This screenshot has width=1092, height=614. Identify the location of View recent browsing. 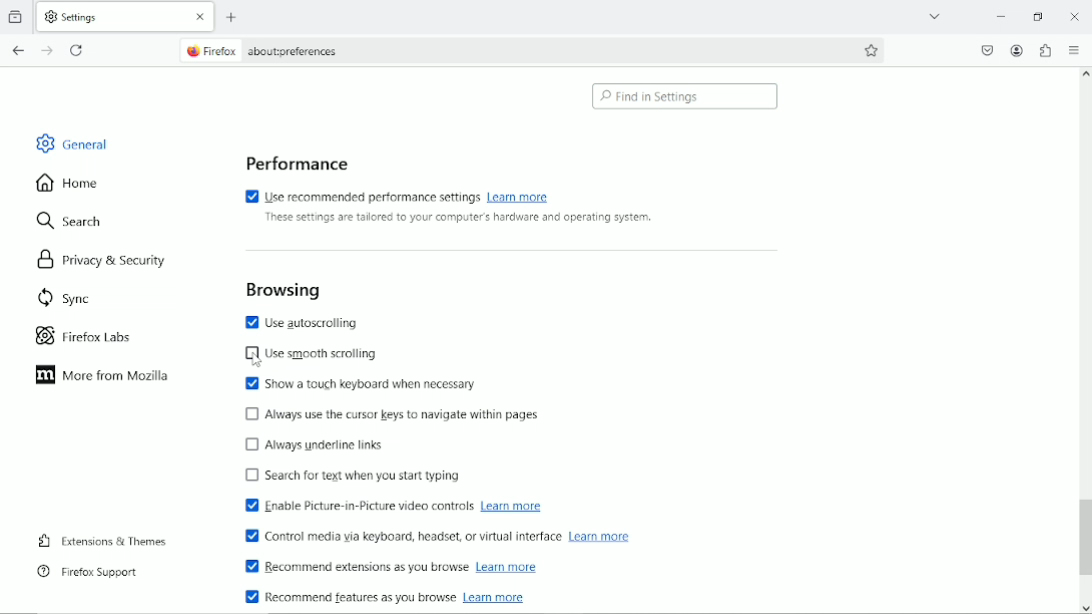
(17, 16).